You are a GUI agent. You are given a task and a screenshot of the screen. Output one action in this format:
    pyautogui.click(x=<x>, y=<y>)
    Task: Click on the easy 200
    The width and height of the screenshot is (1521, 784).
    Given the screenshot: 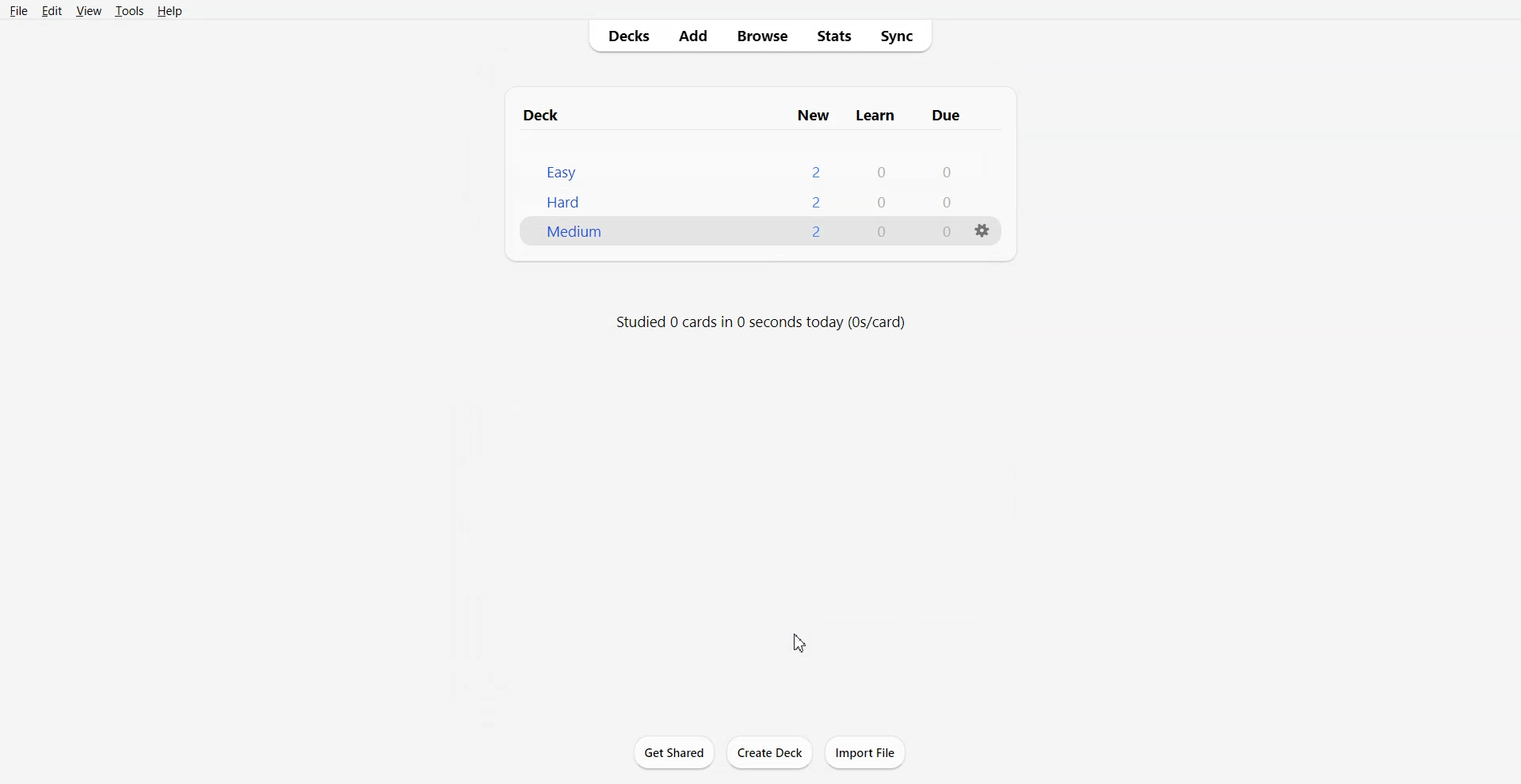 What is the action you would take?
    pyautogui.click(x=733, y=198)
    